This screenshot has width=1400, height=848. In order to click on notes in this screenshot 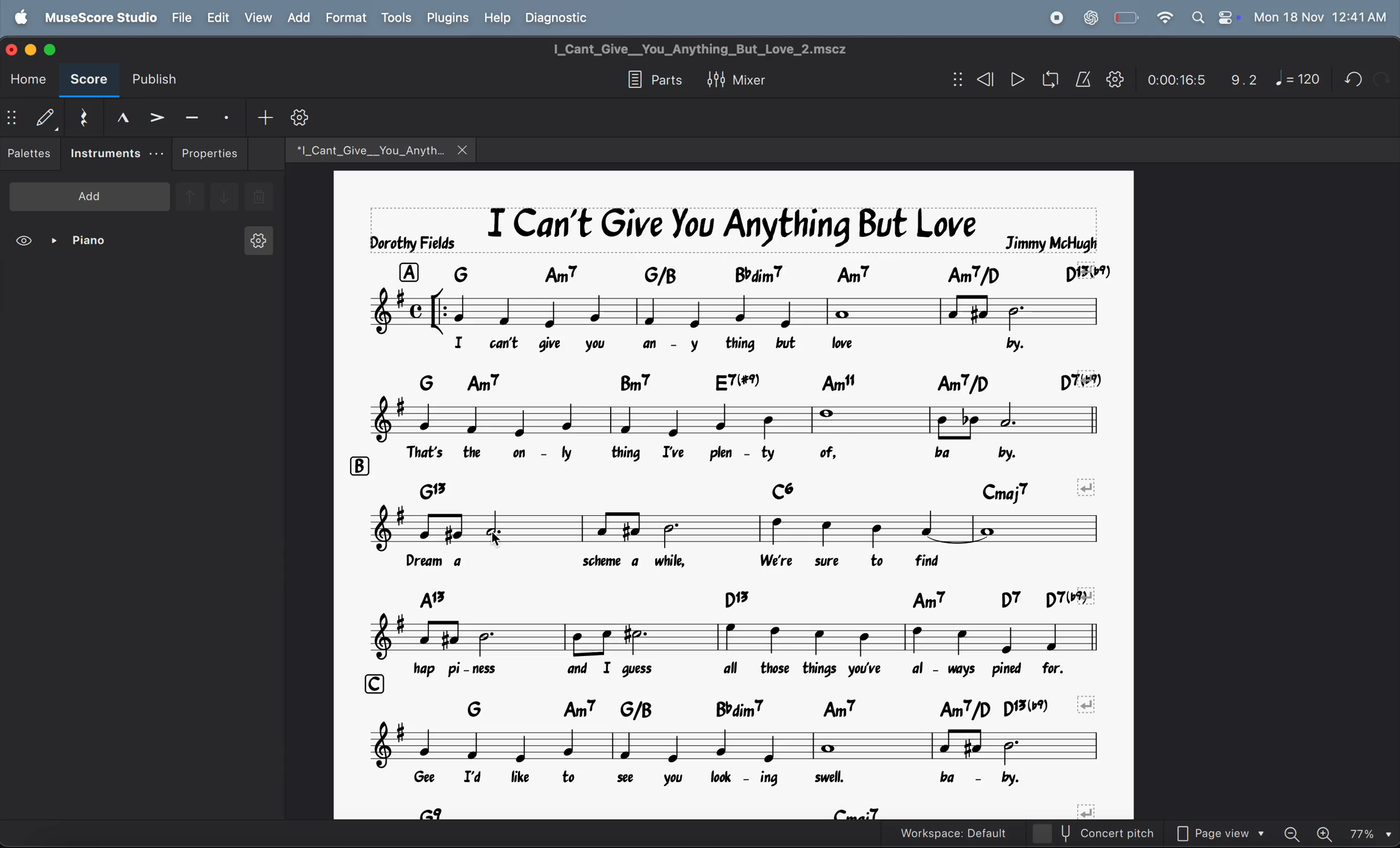, I will do `click(742, 638)`.